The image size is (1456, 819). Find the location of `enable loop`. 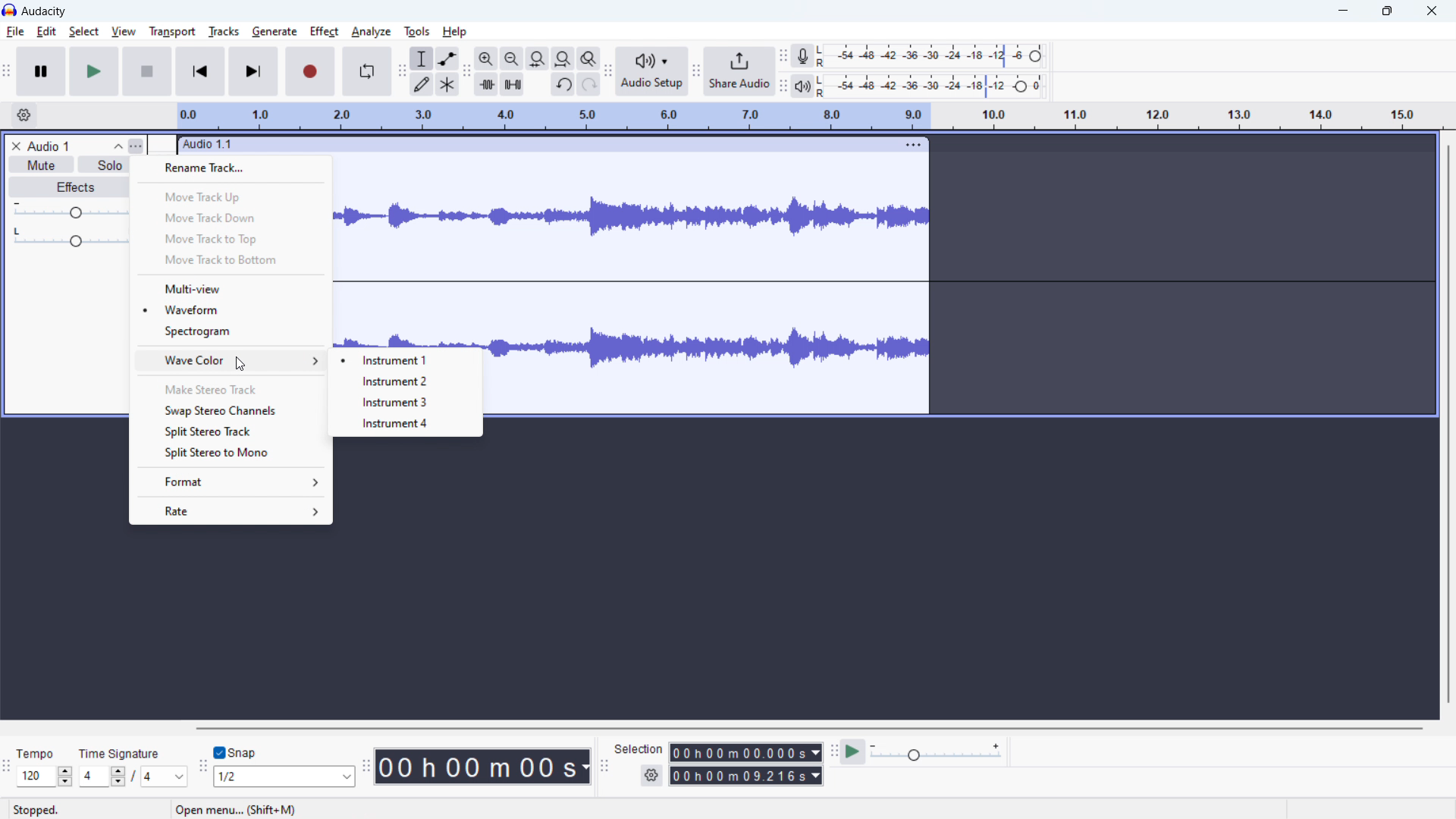

enable loop is located at coordinates (366, 71).